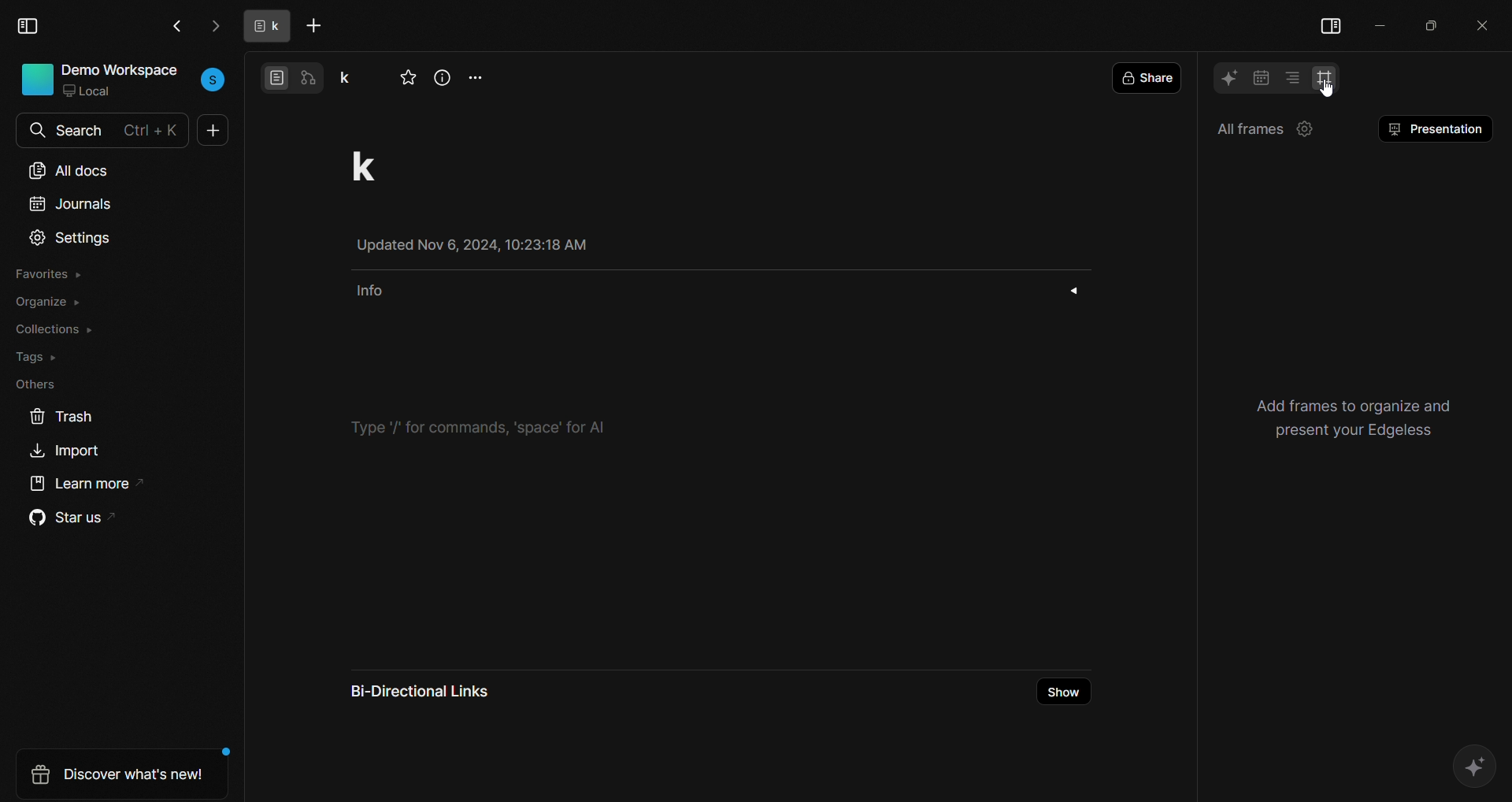  Describe the element at coordinates (1151, 77) in the screenshot. I see `share` at that location.